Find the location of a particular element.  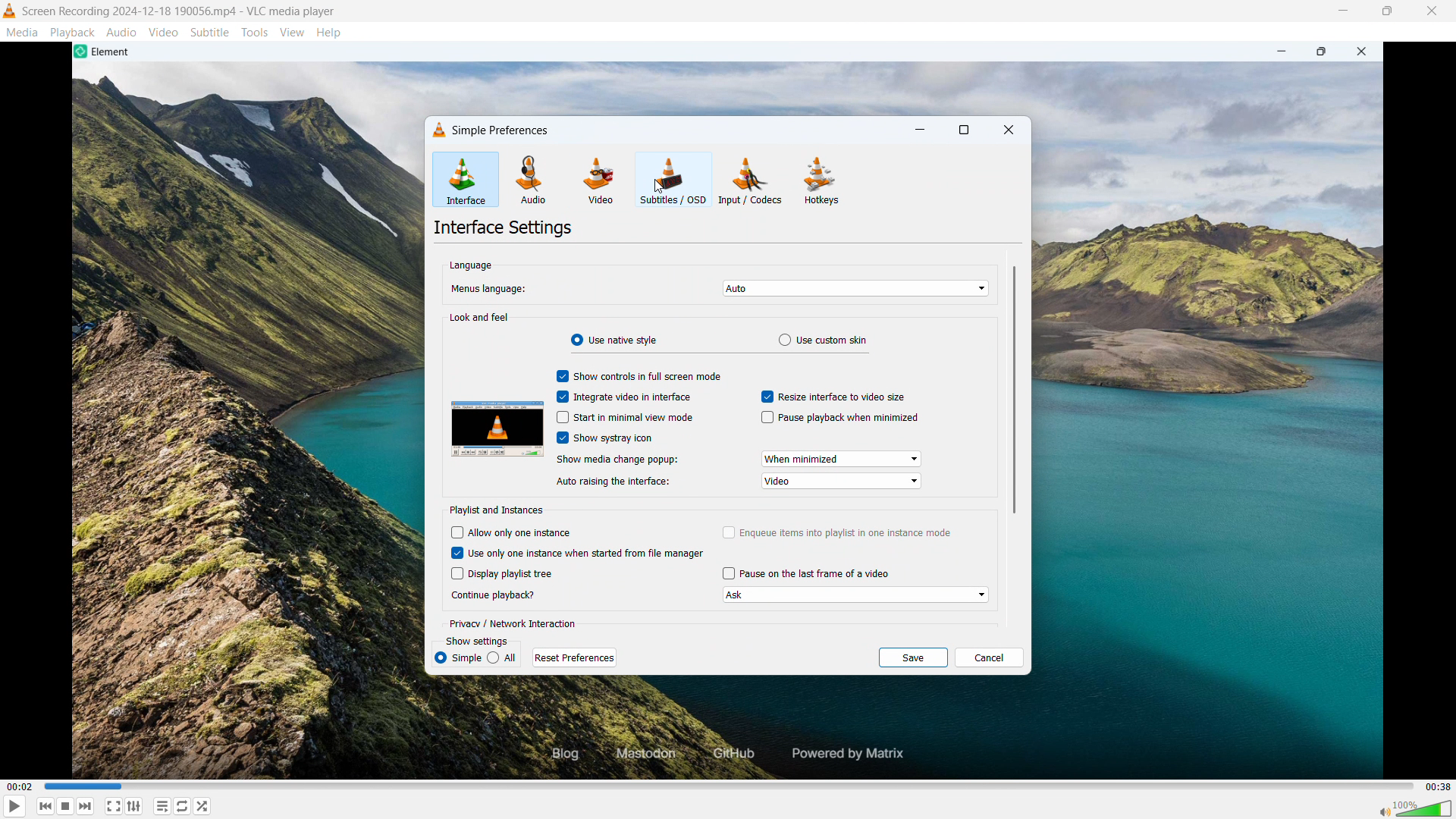

Blog is located at coordinates (570, 758).